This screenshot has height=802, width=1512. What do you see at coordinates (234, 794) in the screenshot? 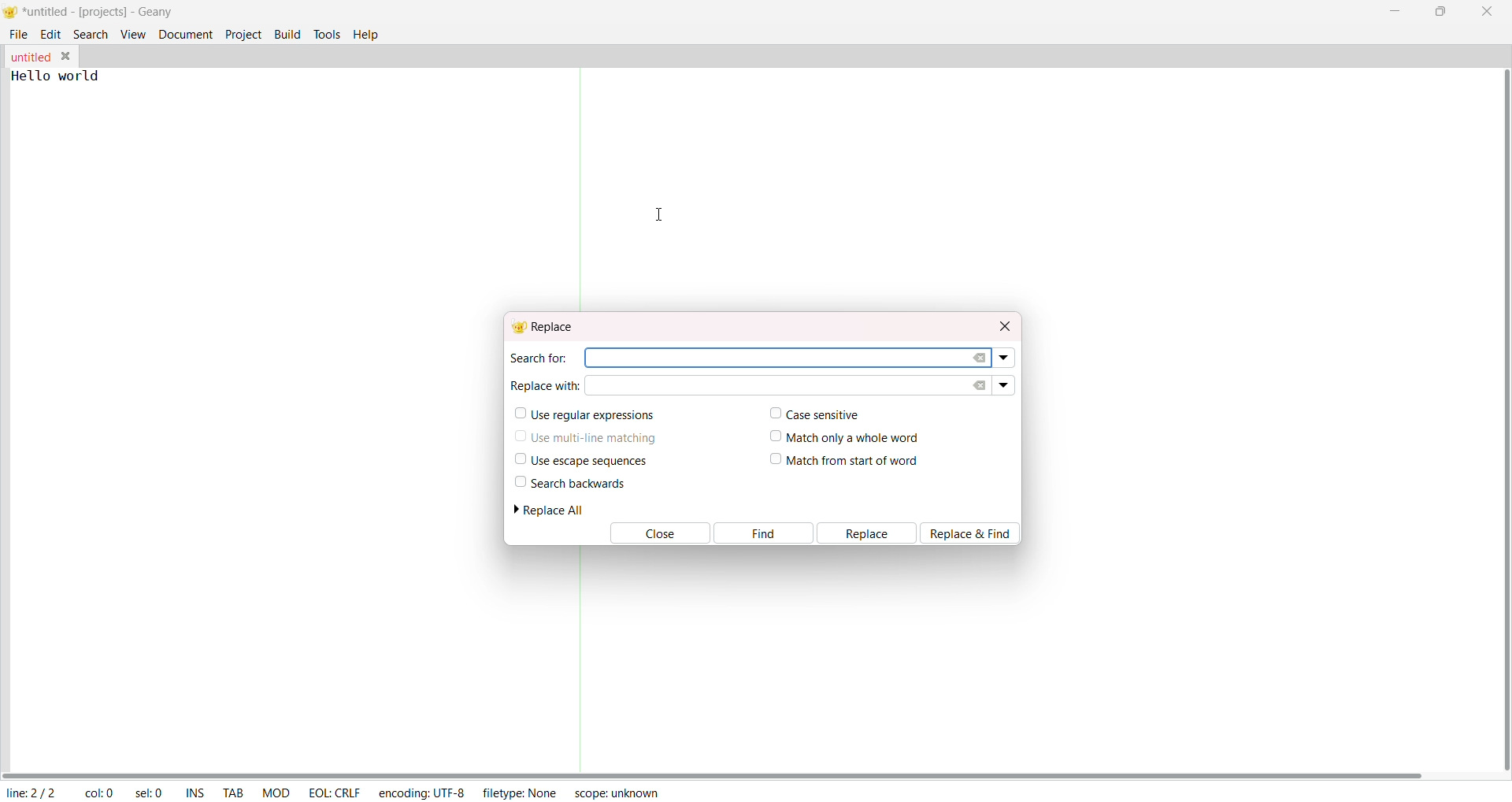
I see `tab` at bounding box center [234, 794].